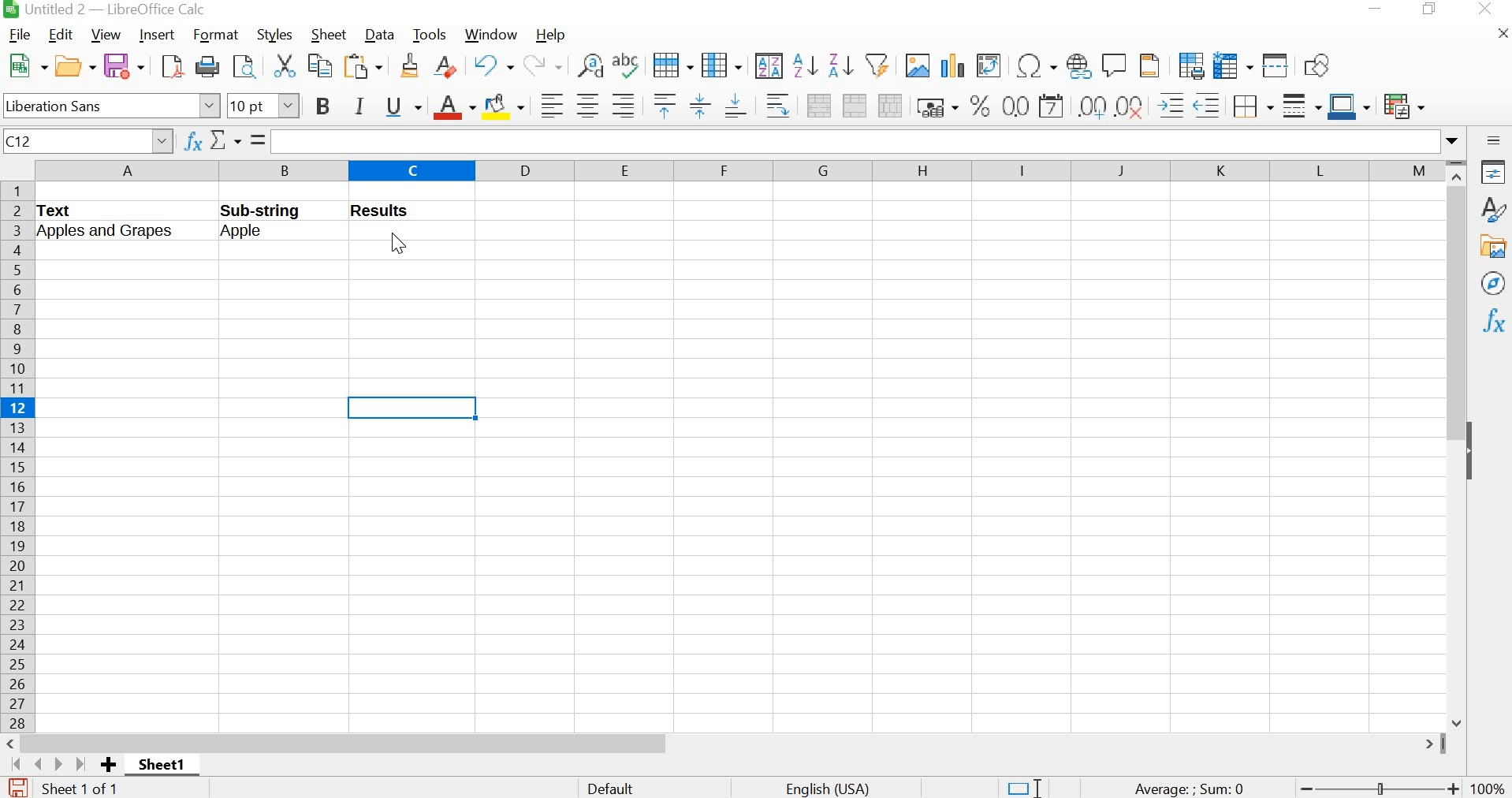 This screenshot has height=798, width=1512. Describe the element at coordinates (624, 106) in the screenshot. I see `align right` at that location.